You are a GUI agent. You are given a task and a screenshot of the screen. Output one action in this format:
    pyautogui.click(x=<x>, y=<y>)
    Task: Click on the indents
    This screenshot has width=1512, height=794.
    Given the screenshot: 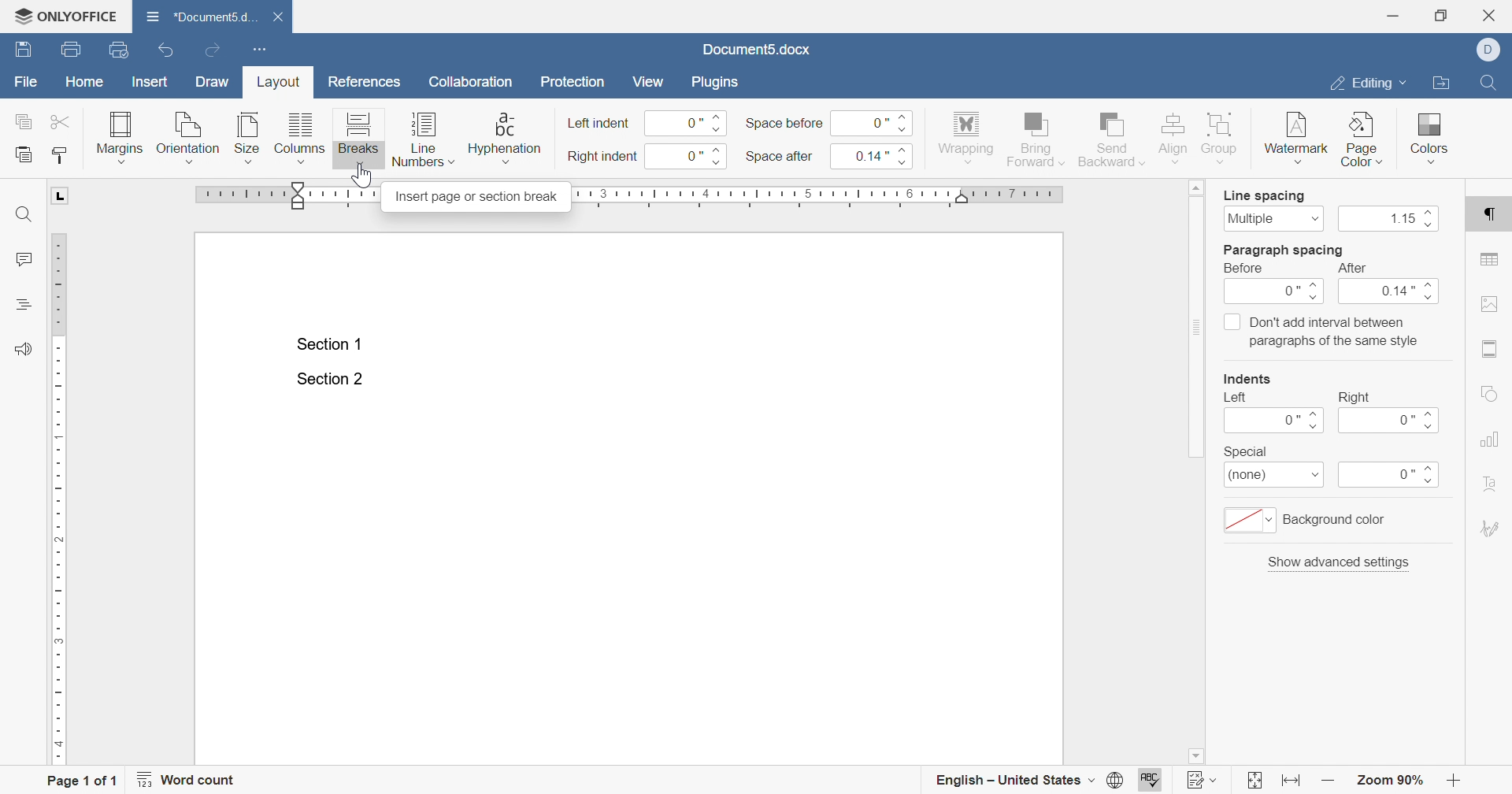 What is the action you would take?
    pyautogui.click(x=1250, y=379)
    